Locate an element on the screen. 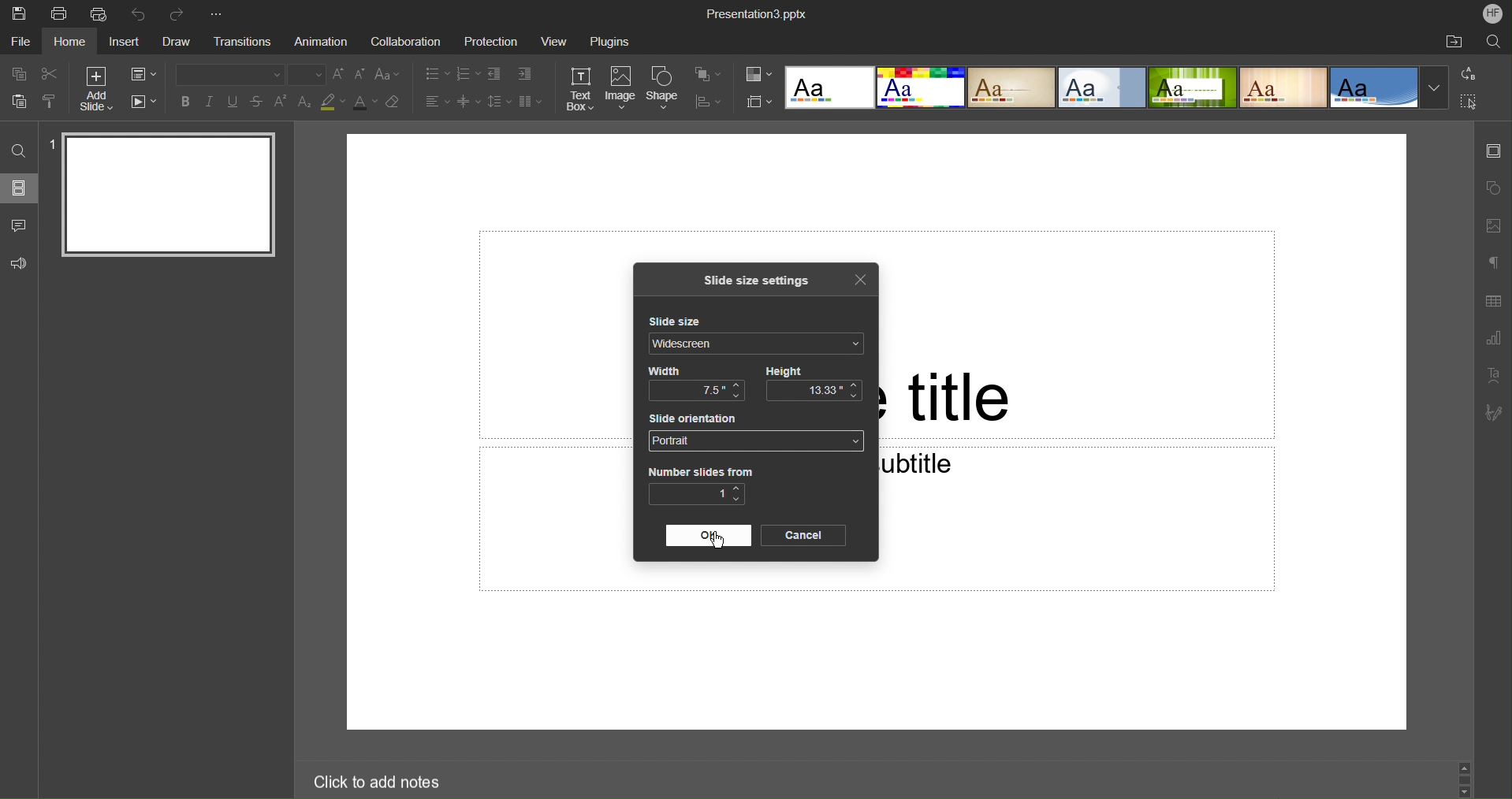 This screenshot has height=799, width=1512. Comments is located at coordinates (17, 225).